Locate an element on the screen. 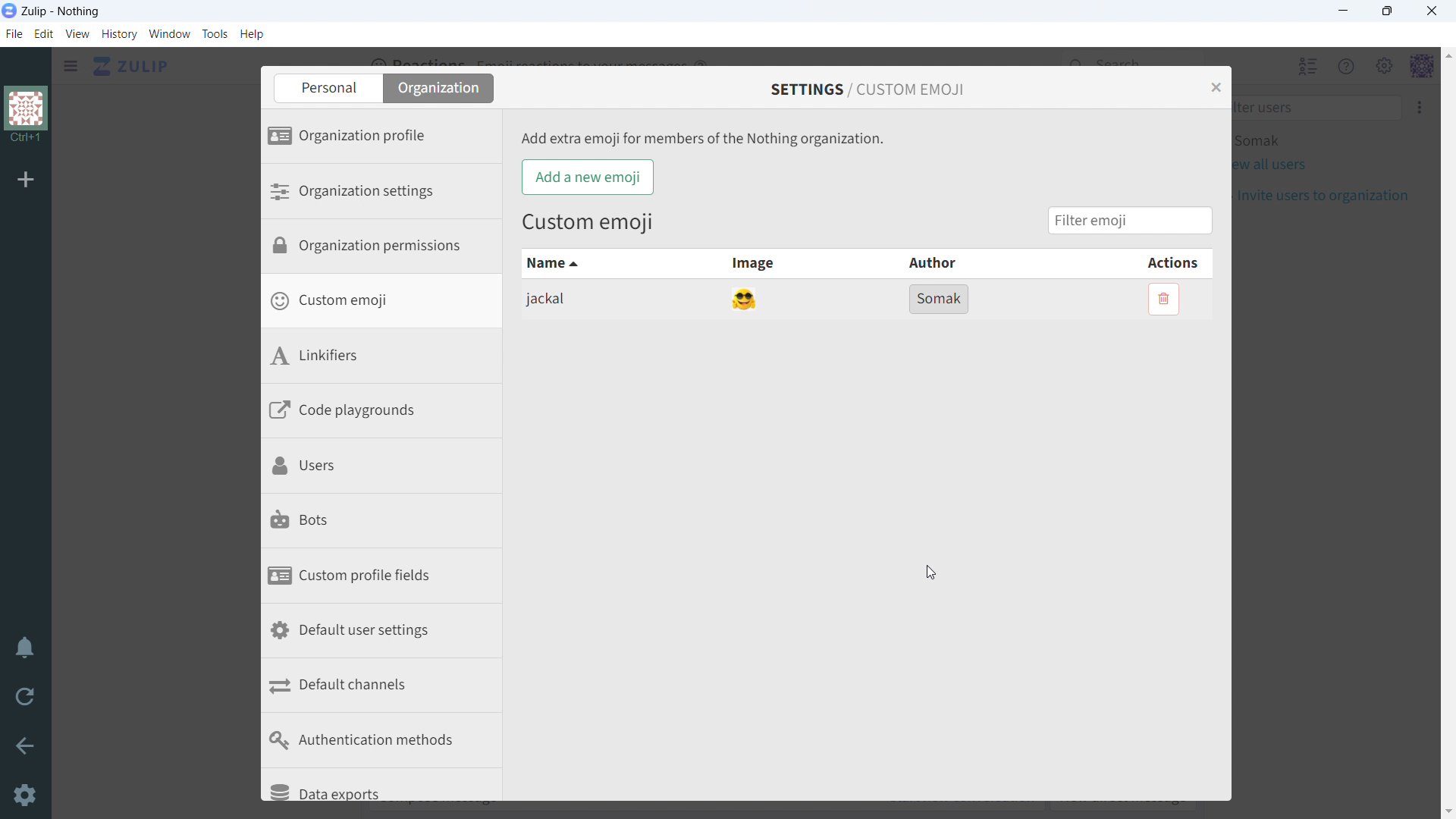 This screenshot has width=1456, height=819. actions is located at coordinates (1122, 263).